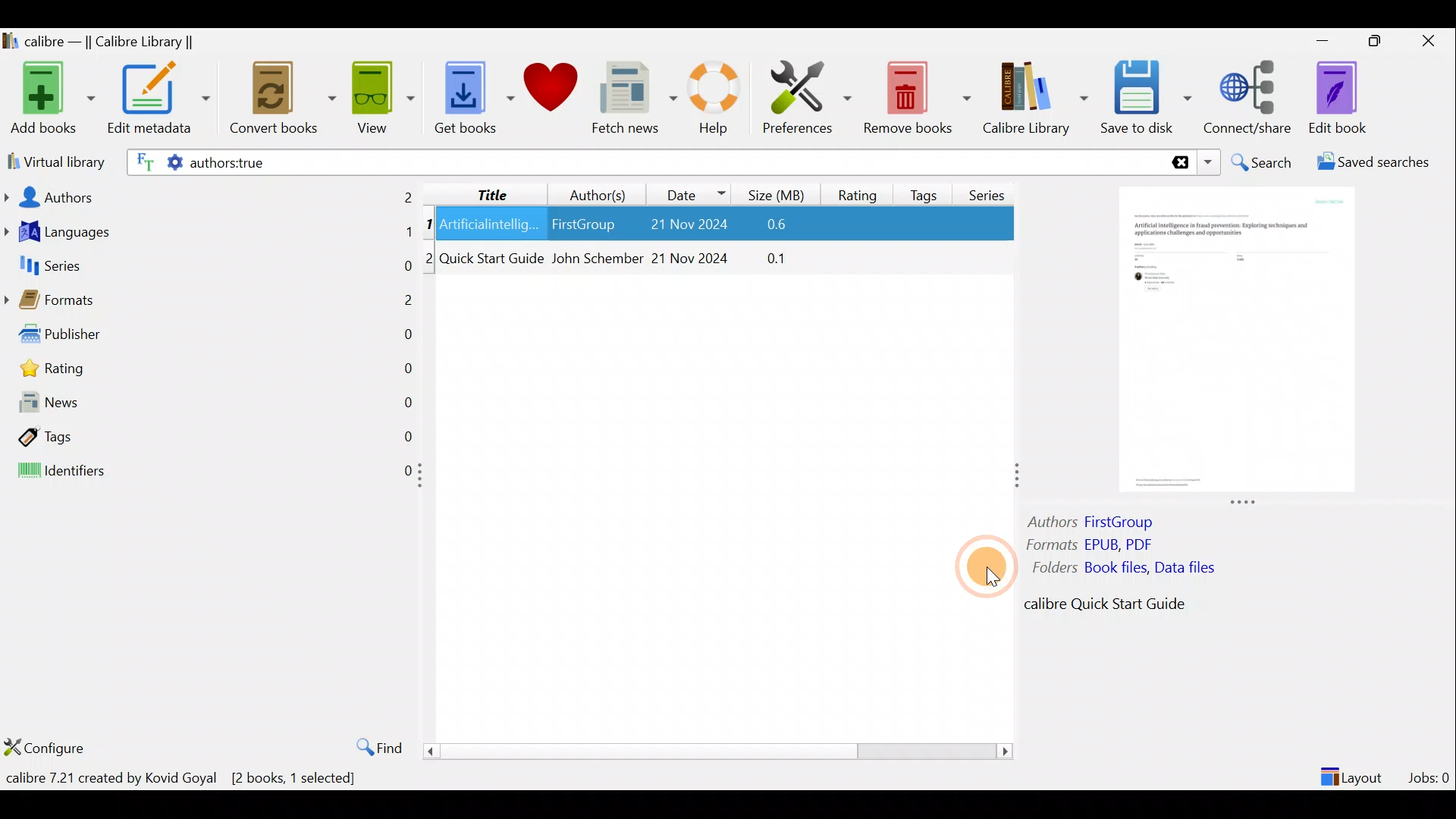  Describe the element at coordinates (711, 100) in the screenshot. I see `Help` at that location.